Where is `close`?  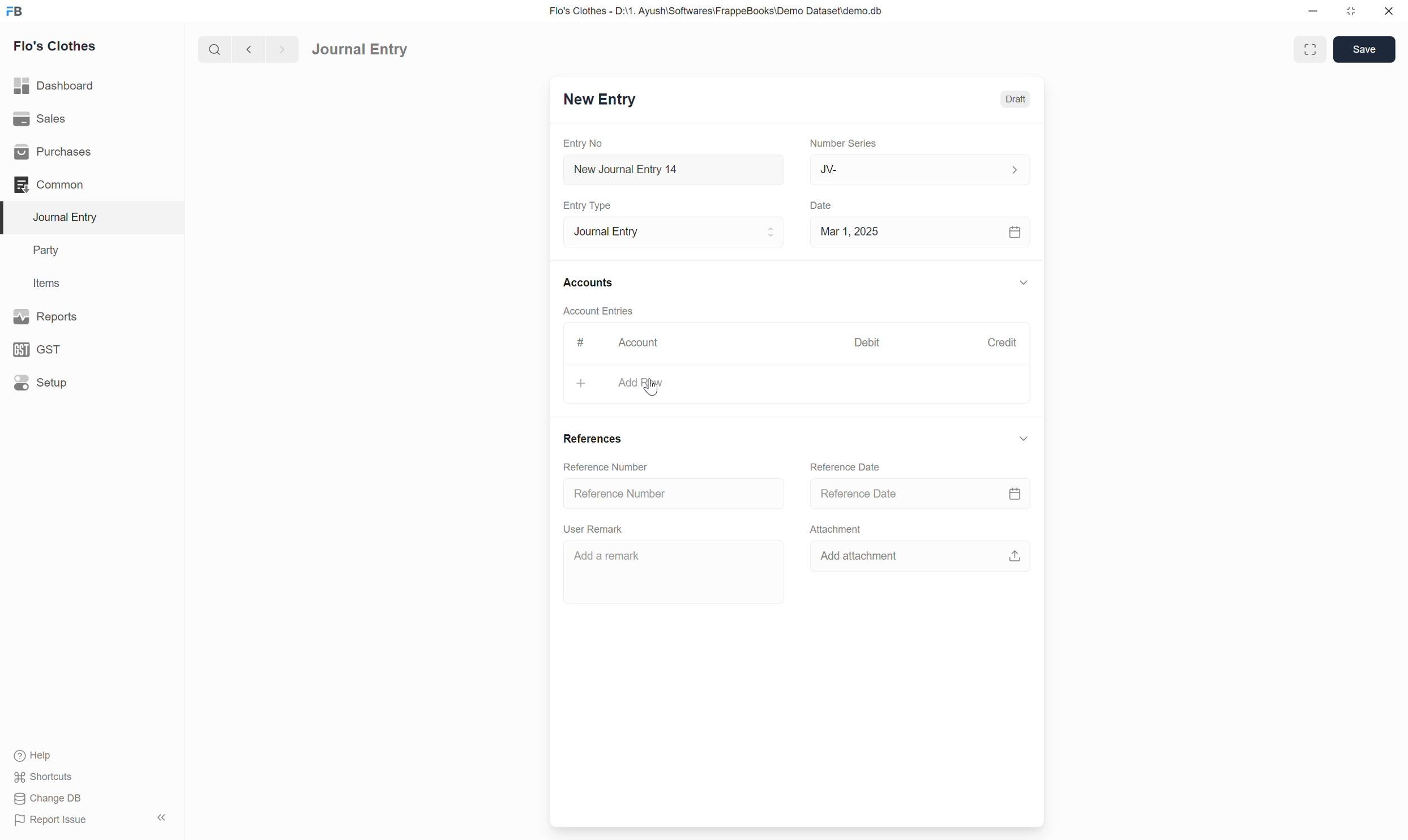
close is located at coordinates (1389, 11).